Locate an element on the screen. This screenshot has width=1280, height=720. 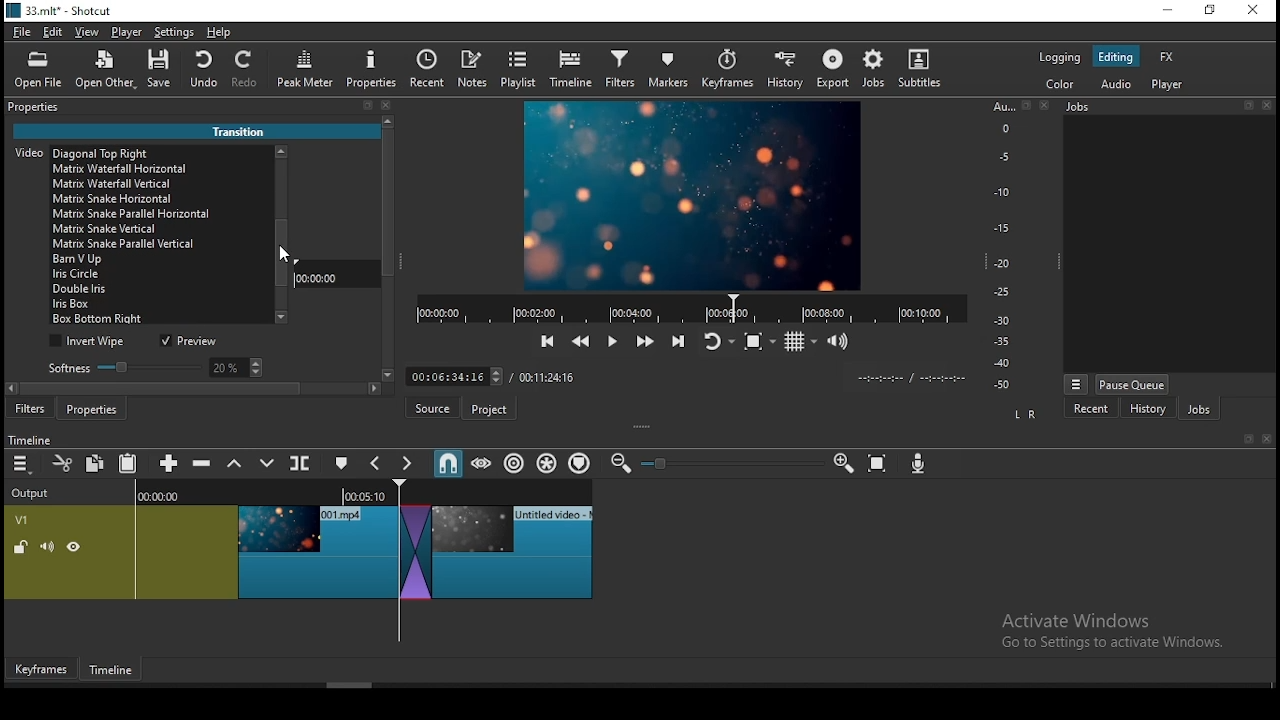
minimize is located at coordinates (1171, 11).